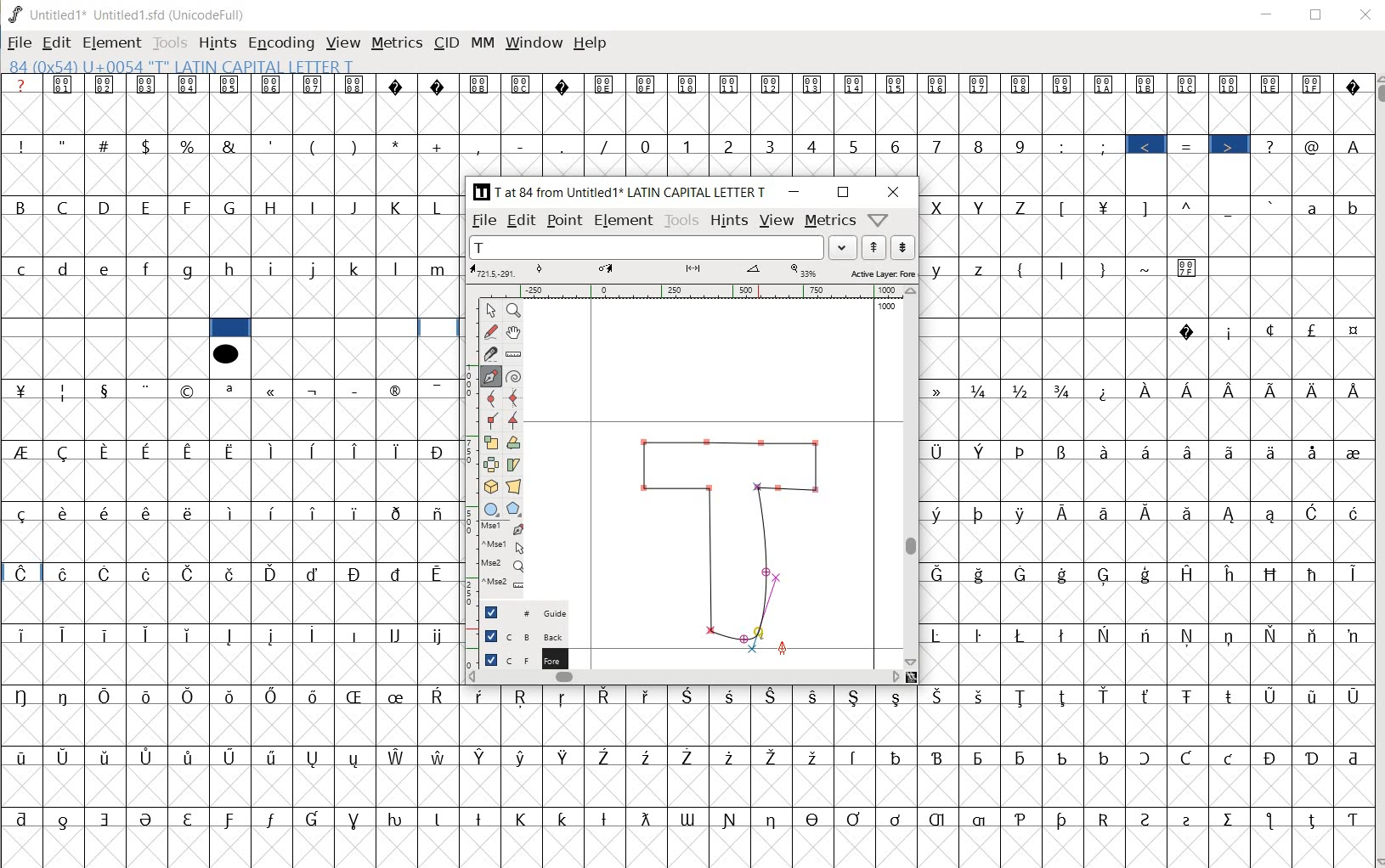  I want to click on foreground layer, so click(524, 657).